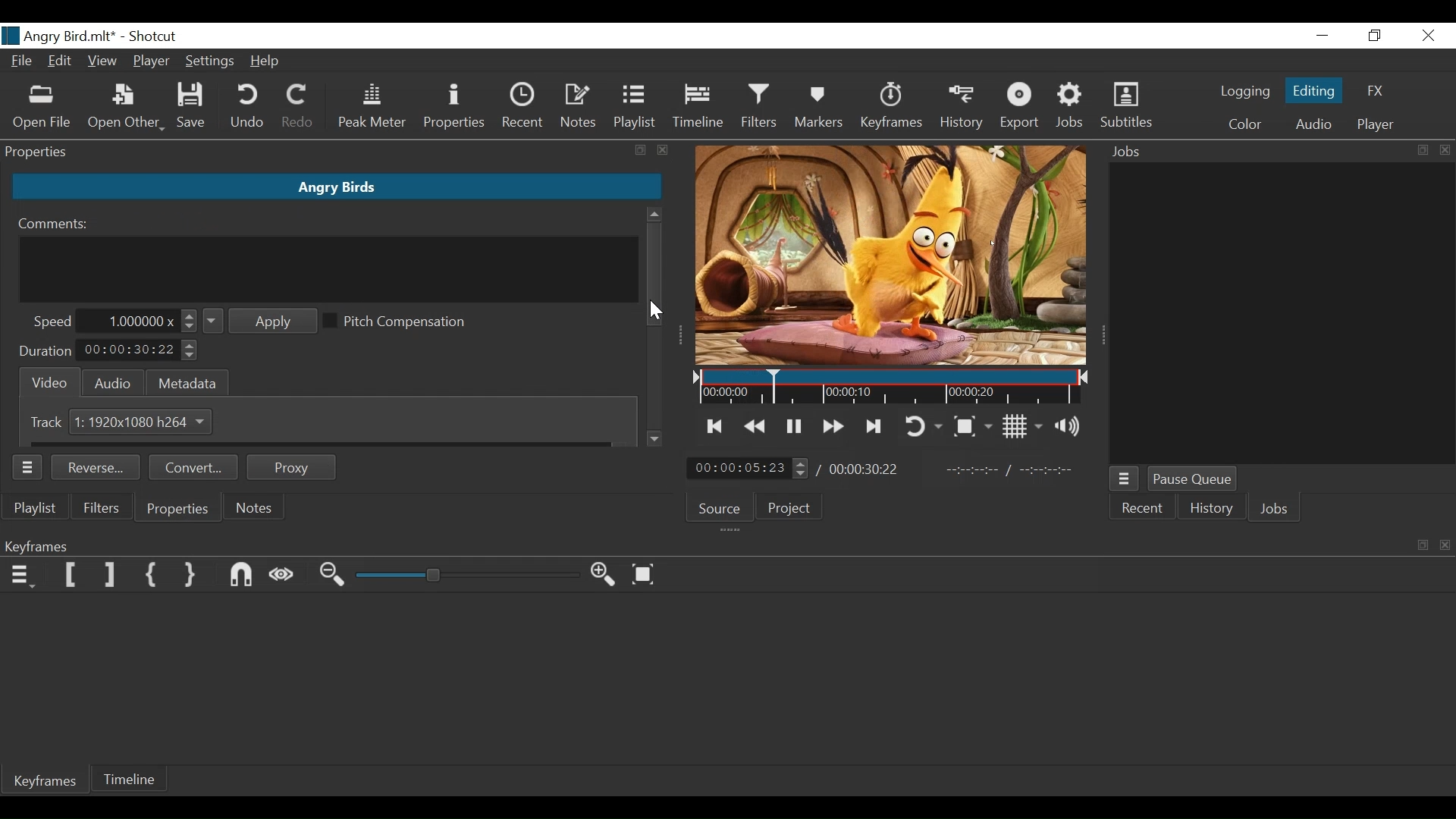  Describe the element at coordinates (99, 507) in the screenshot. I see `Filters` at that location.